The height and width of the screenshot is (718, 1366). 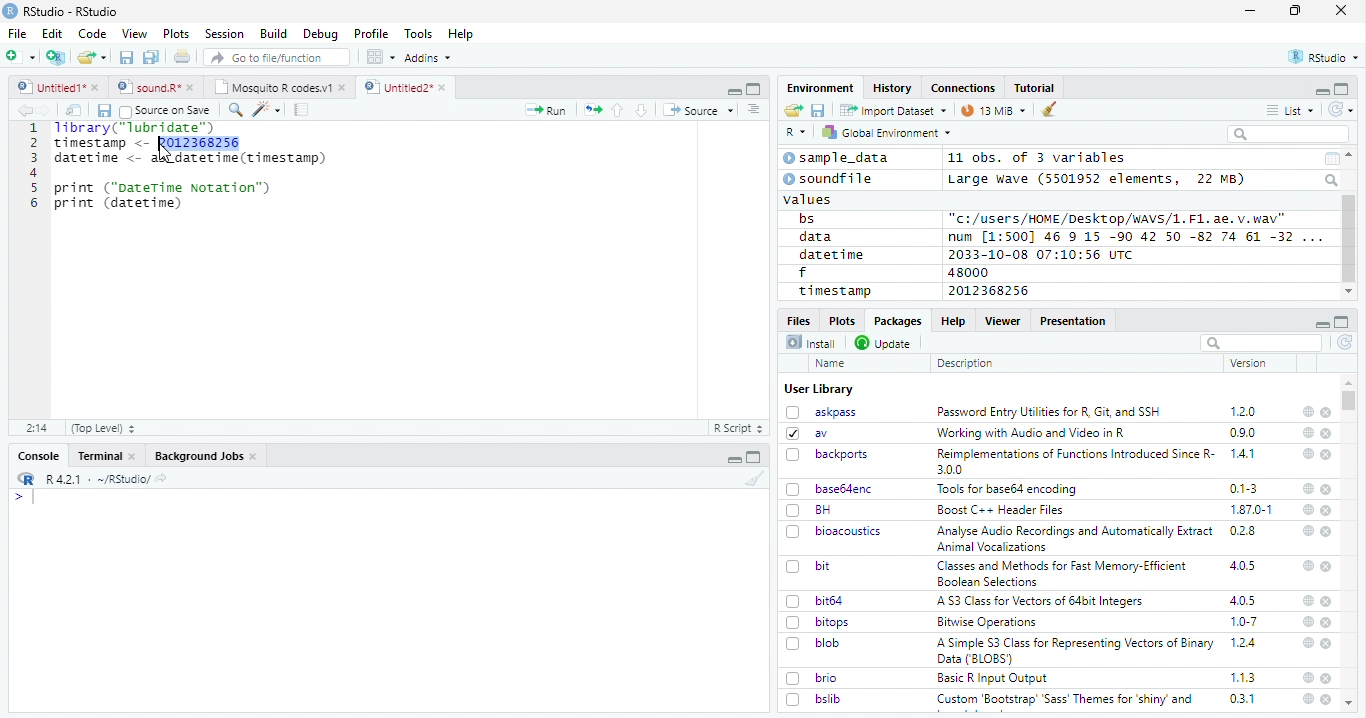 I want to click on Plots, so click(x=176, y=34).